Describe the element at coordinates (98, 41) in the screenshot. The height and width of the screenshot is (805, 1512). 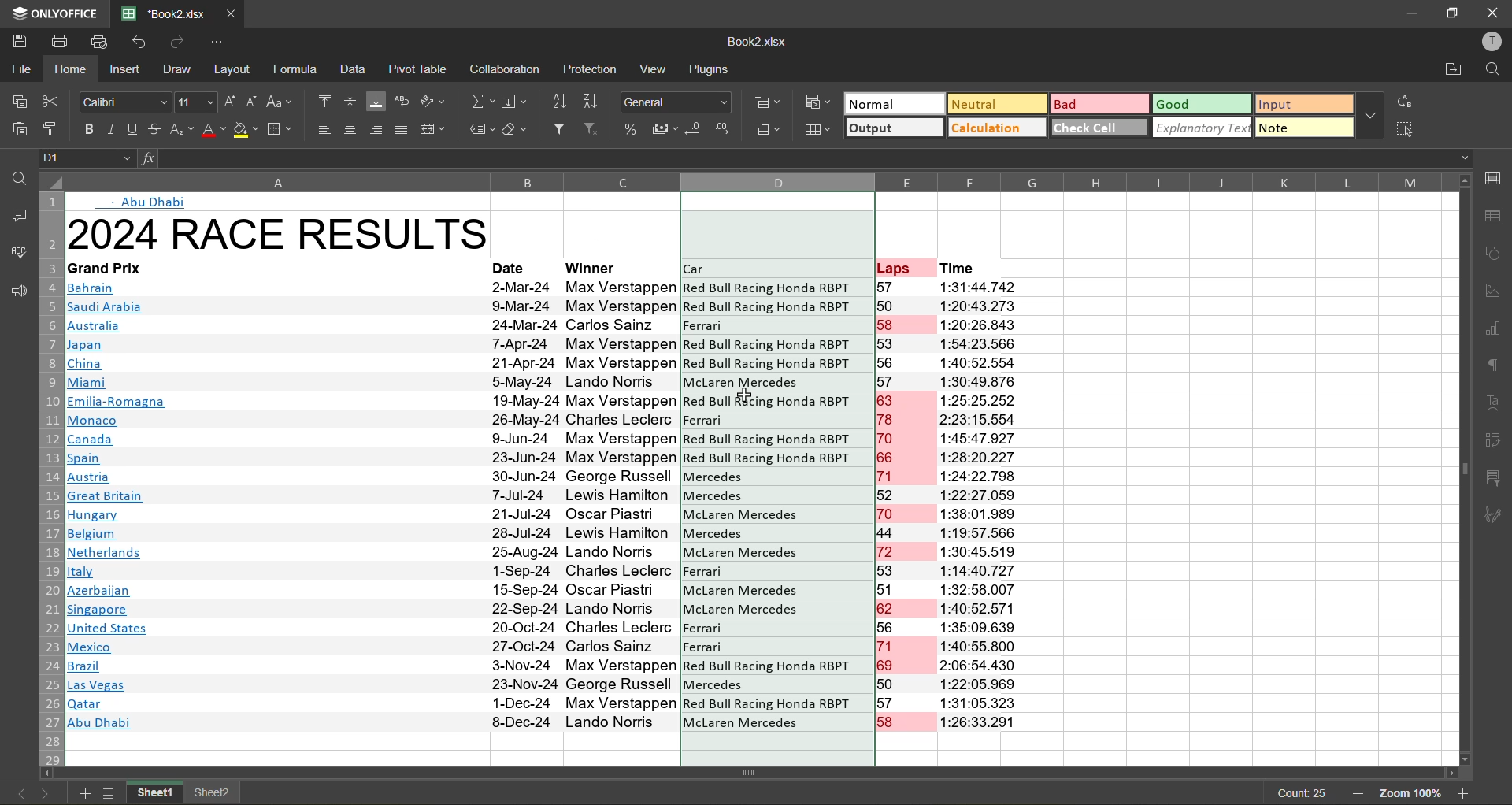
I see `quick print` at that location.